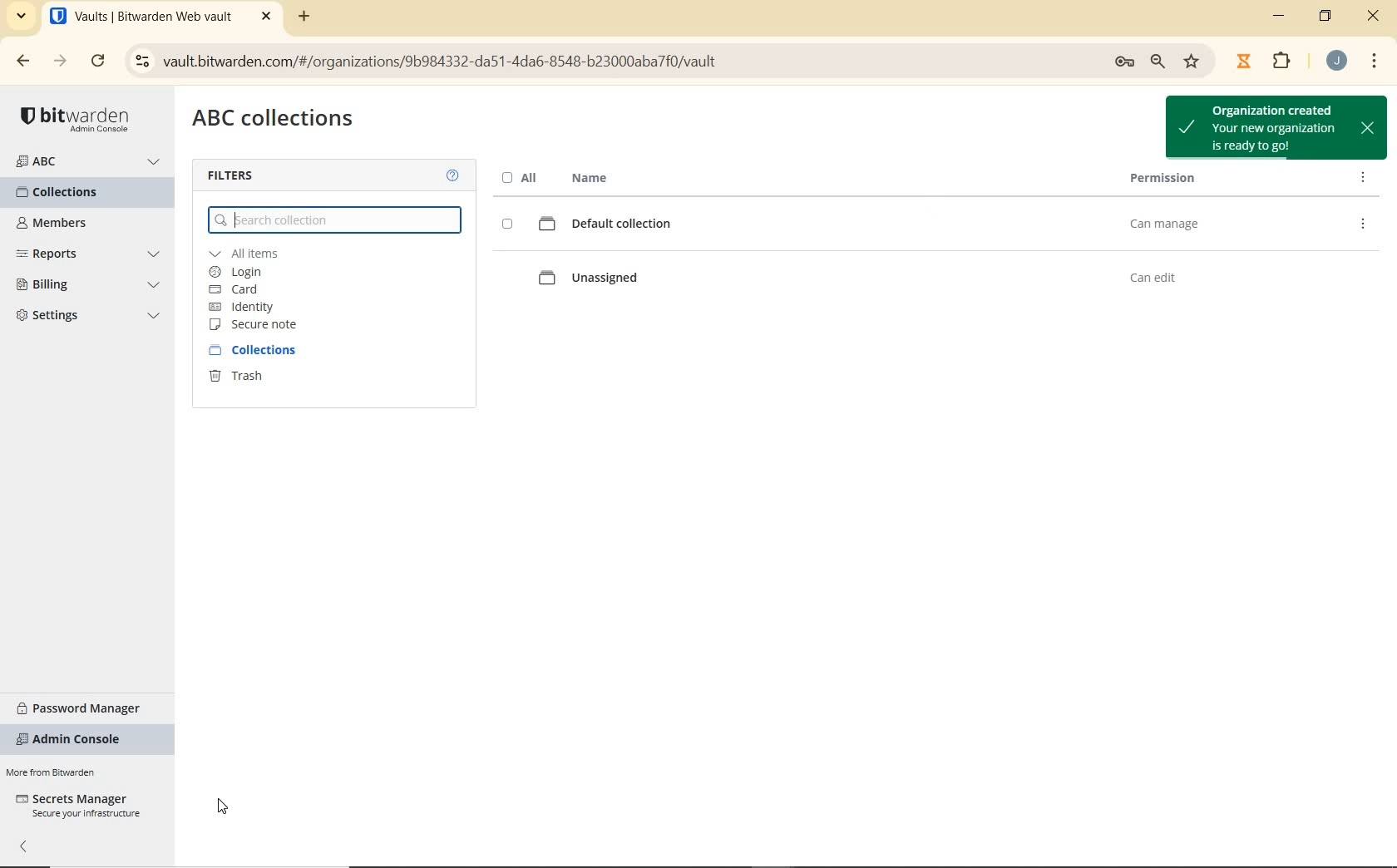  I want to click on reports, so click(88, 254).